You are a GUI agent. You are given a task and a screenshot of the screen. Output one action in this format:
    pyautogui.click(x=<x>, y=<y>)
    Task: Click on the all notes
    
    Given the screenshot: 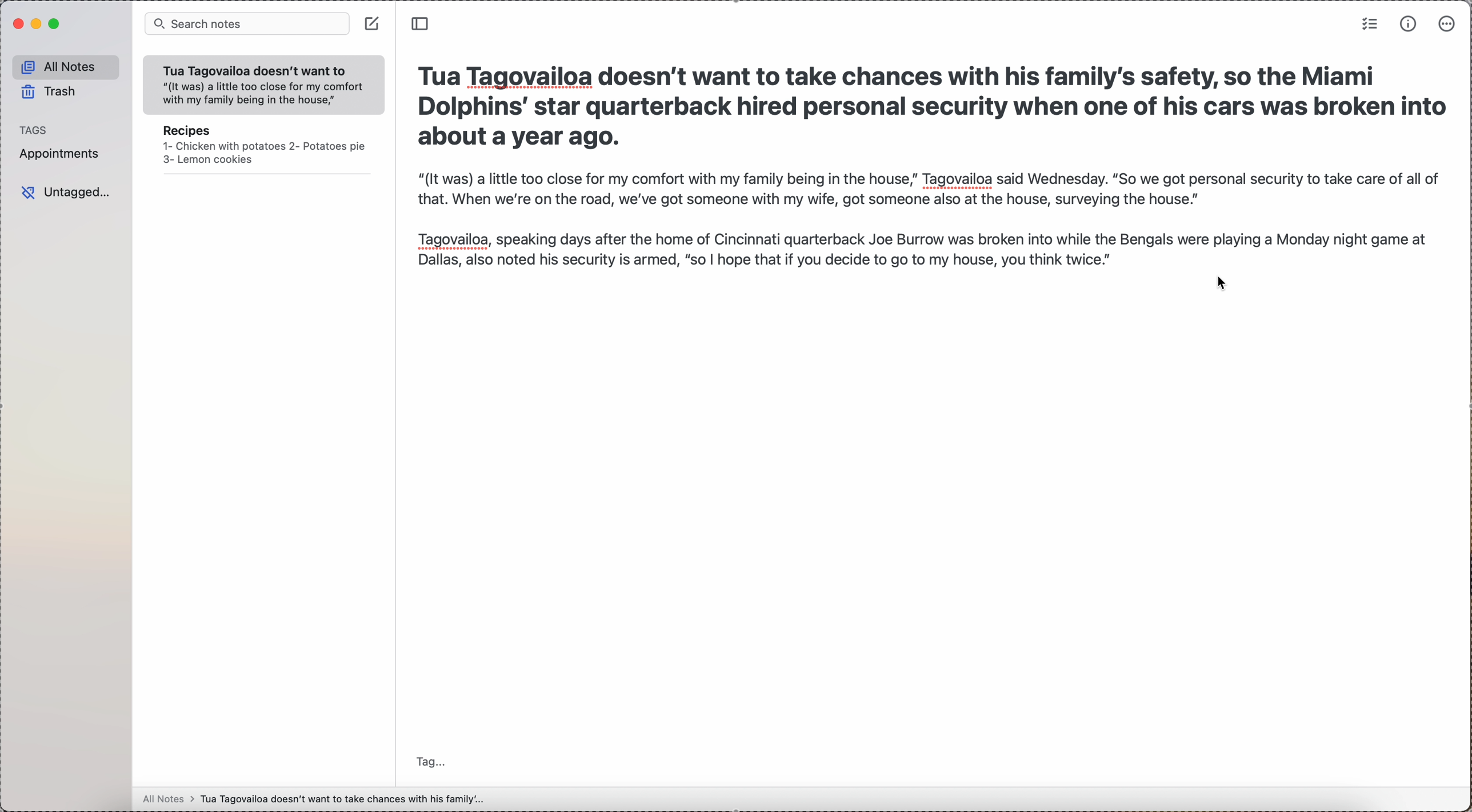 What is the action you would take?
    pyautogui.click(x=65, y=66)
    